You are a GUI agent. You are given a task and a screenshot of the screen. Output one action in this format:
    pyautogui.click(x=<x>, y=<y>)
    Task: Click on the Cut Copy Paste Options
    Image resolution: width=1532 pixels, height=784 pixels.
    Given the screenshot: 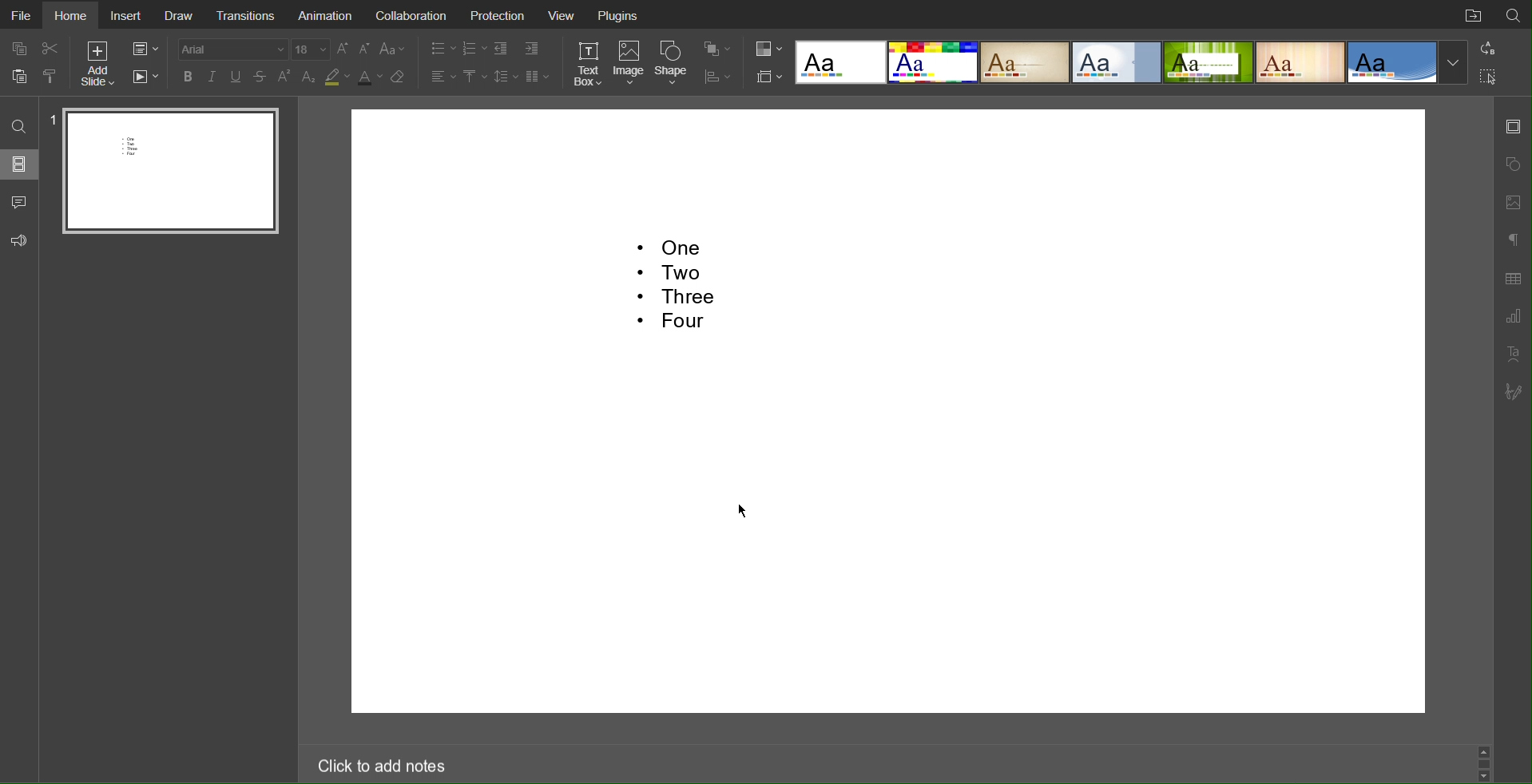 What is the action you would take?
    pyautogui.click(x=37, y=63)
    